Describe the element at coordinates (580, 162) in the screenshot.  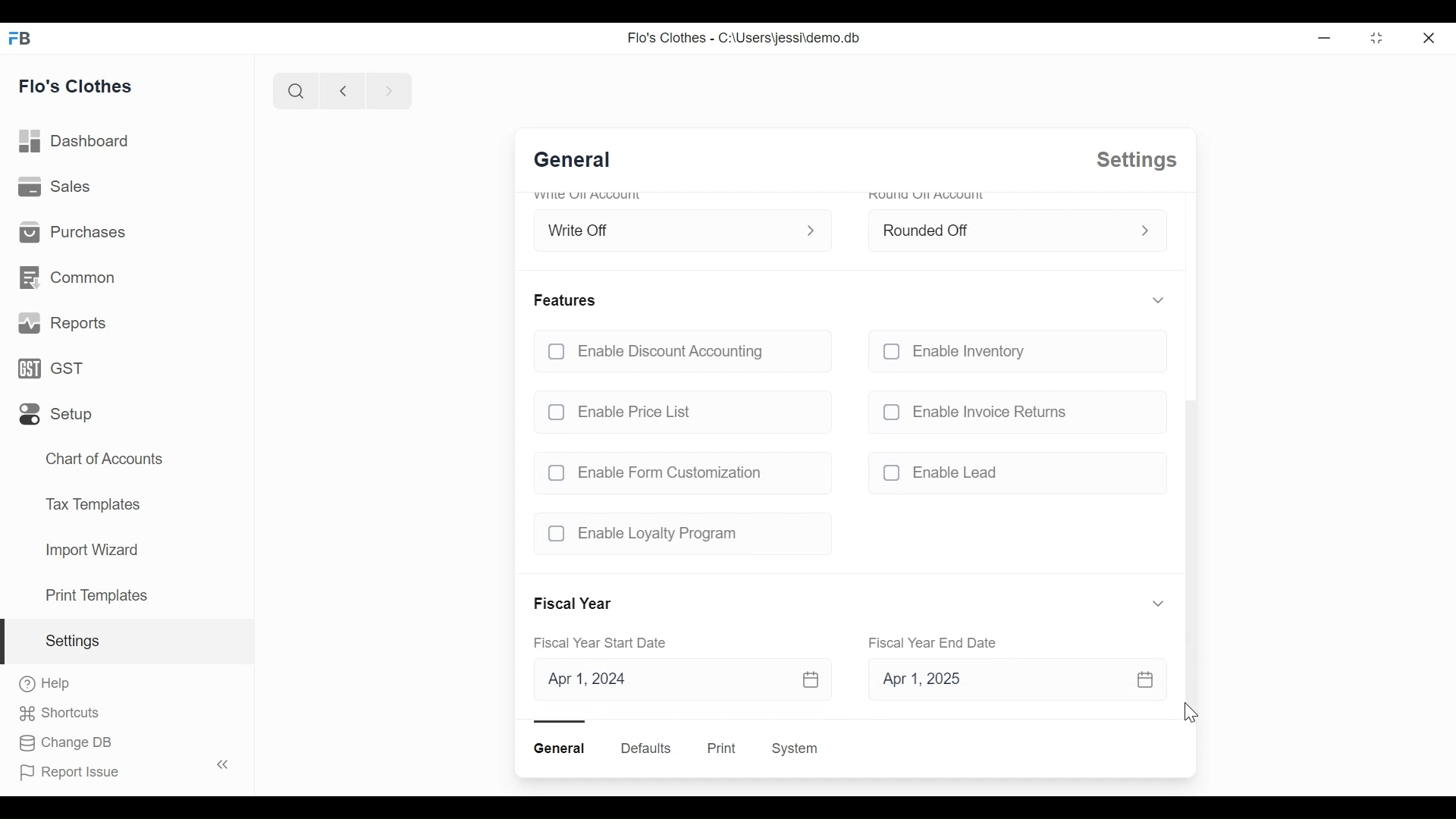
I see `General` at that location.